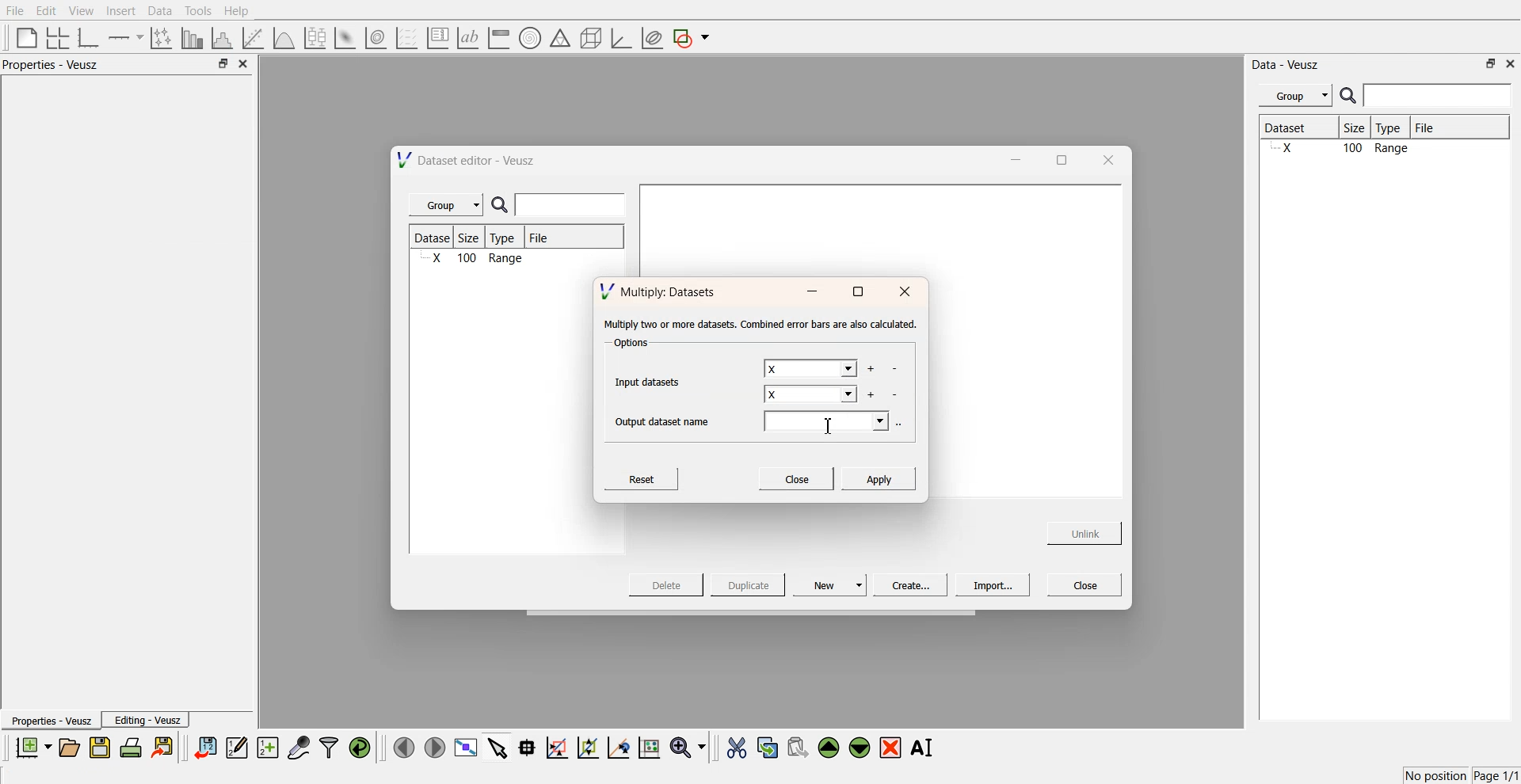  I want to click on plot a 2d data set as contour, so click(375, 39).